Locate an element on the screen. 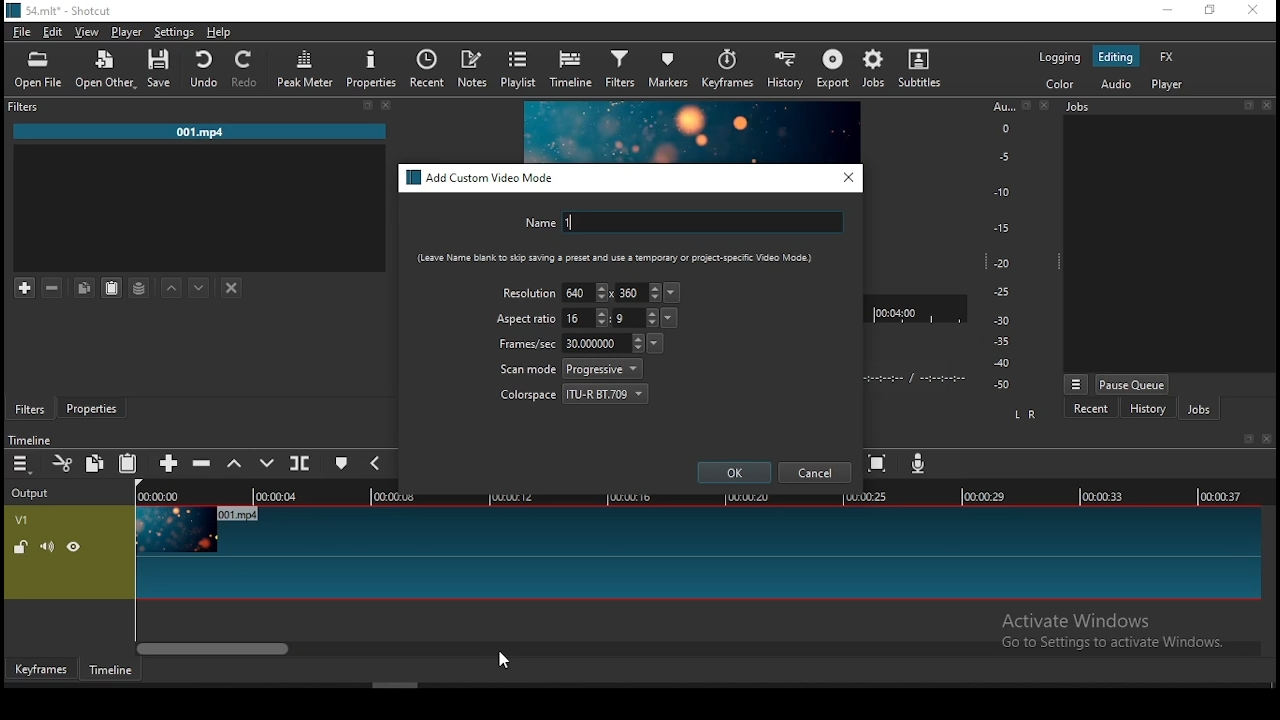 The image size is (1280, 720). Filter is located at coordinates (26, 107).